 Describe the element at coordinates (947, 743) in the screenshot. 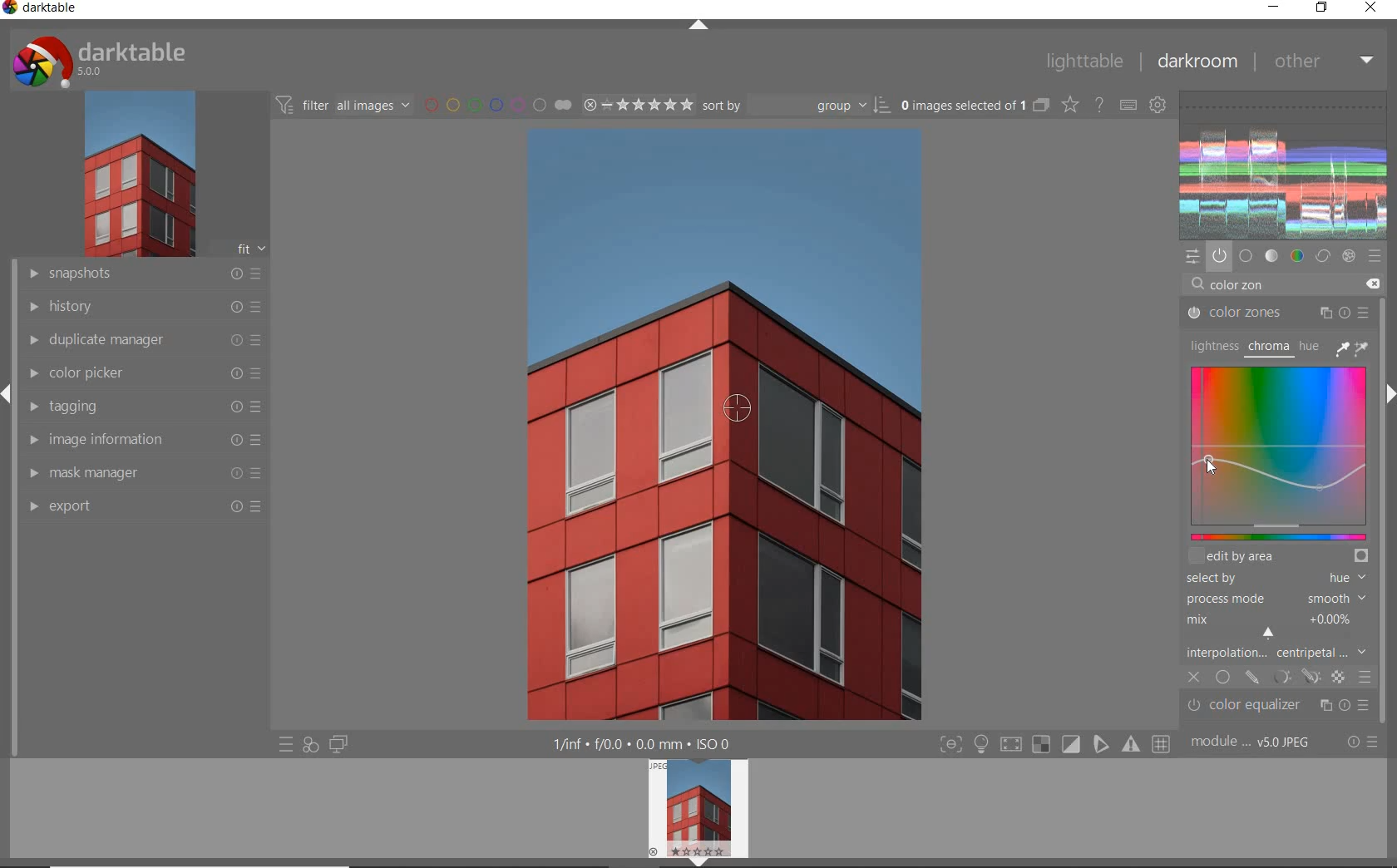

I see `focus` at that location.